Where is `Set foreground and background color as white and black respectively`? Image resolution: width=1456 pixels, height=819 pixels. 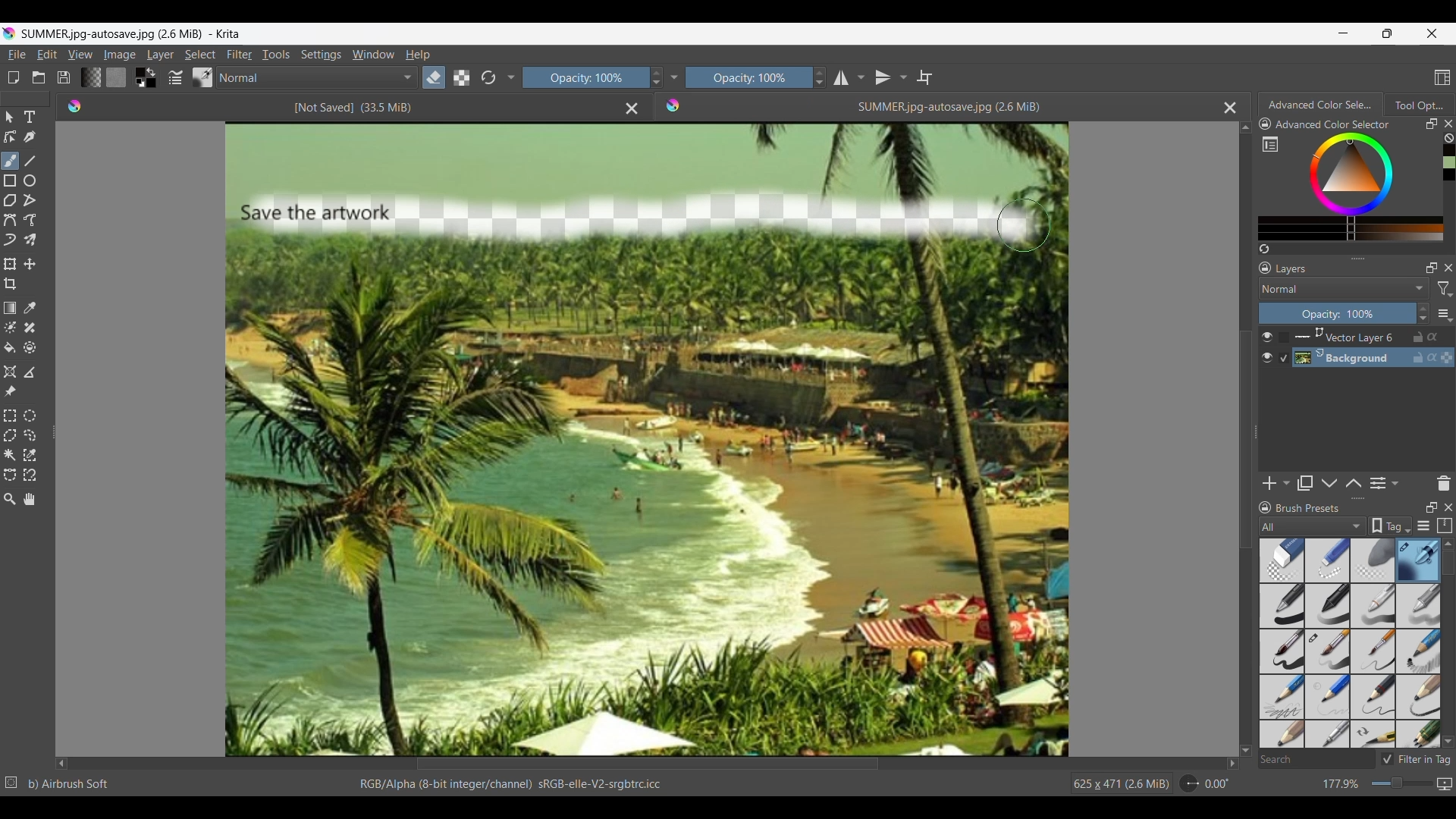
Set foreground and background color as white and black respectively is located at coordinates (138, 83).